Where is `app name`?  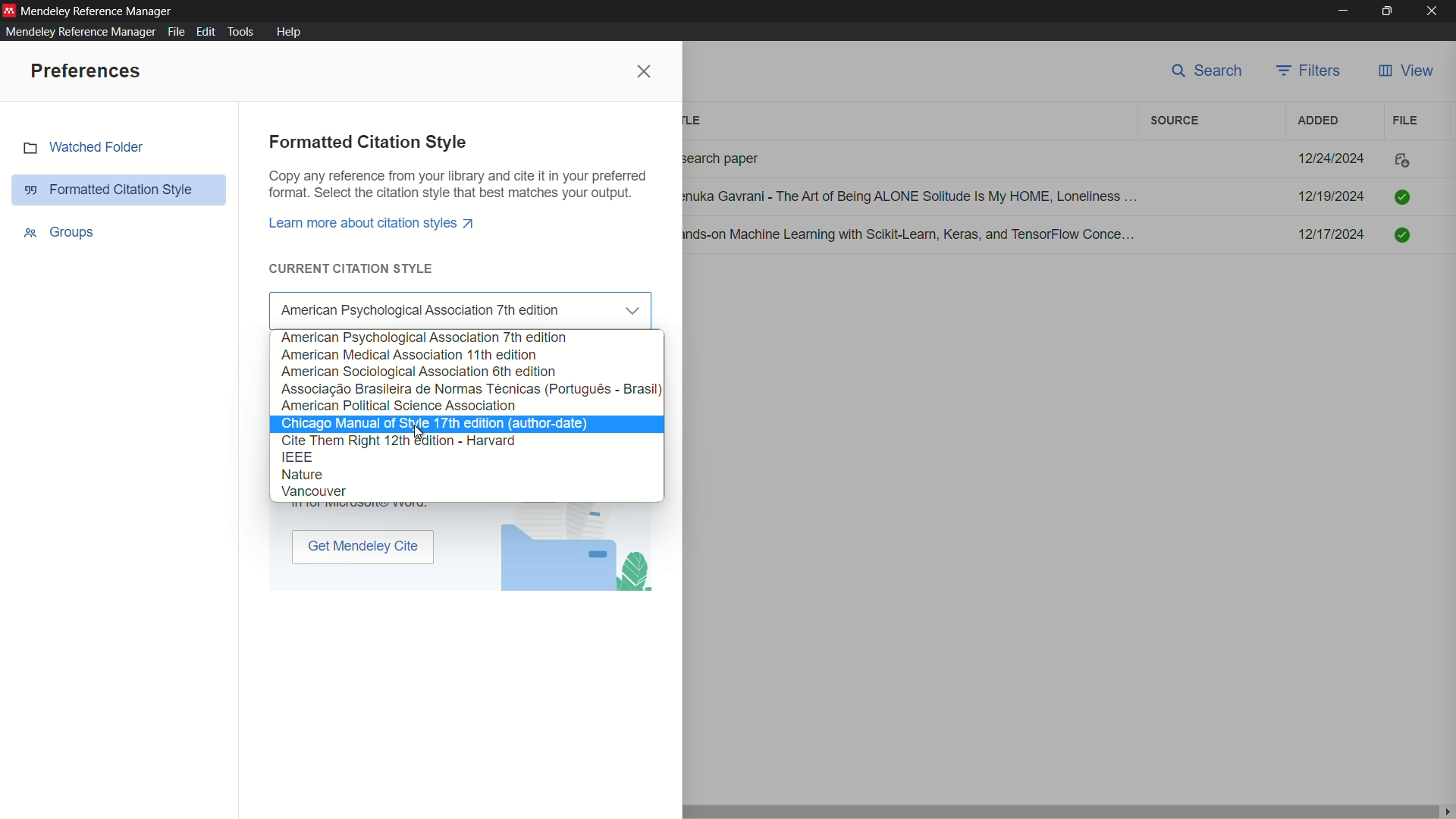
app name is located at coordinates (99, 10).